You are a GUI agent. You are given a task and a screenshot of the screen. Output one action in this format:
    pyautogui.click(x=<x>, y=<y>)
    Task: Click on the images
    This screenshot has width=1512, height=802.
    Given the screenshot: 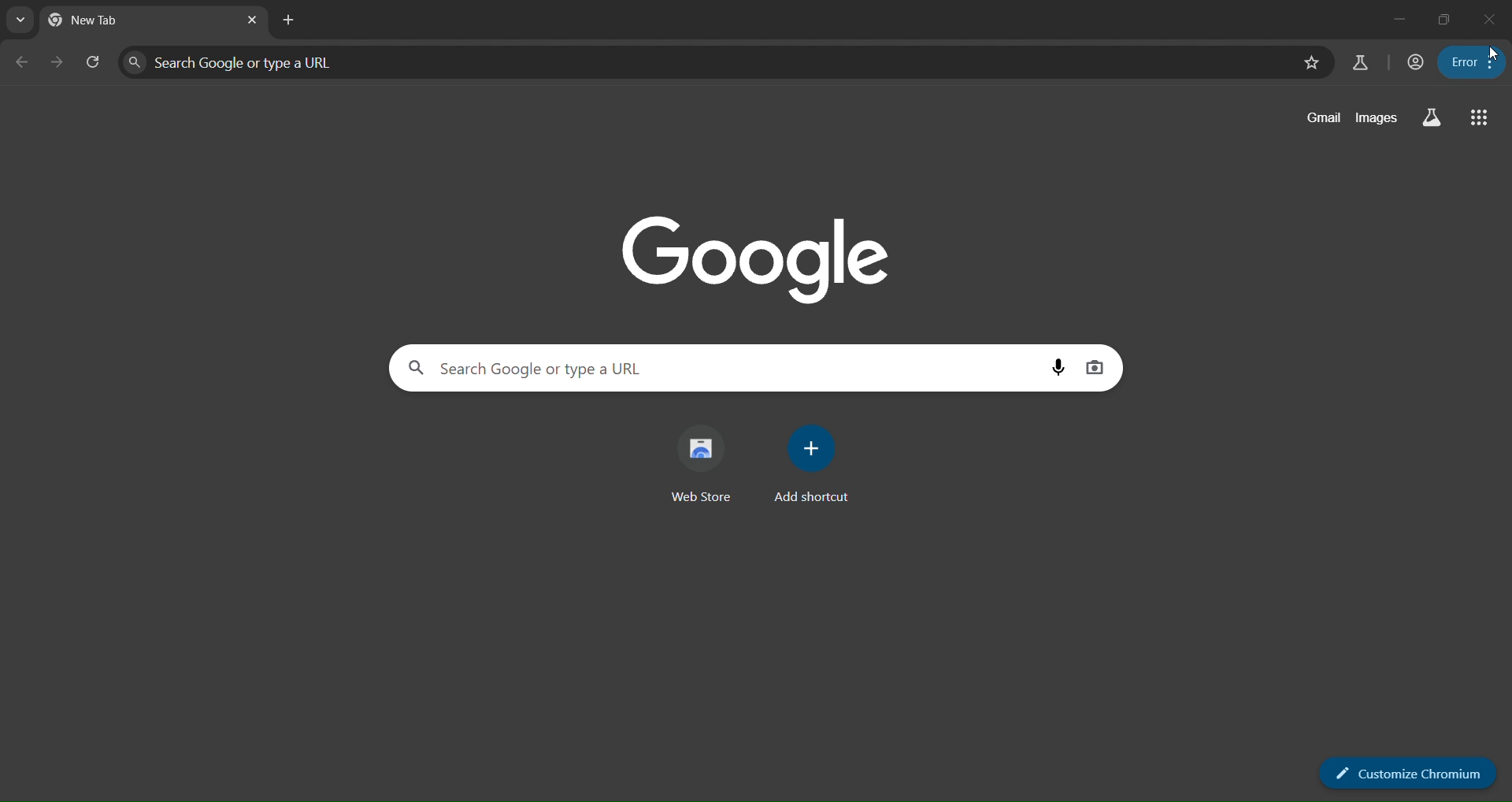 What is the action you would take?
    pyautogui.click(x=1379, y=118)
    